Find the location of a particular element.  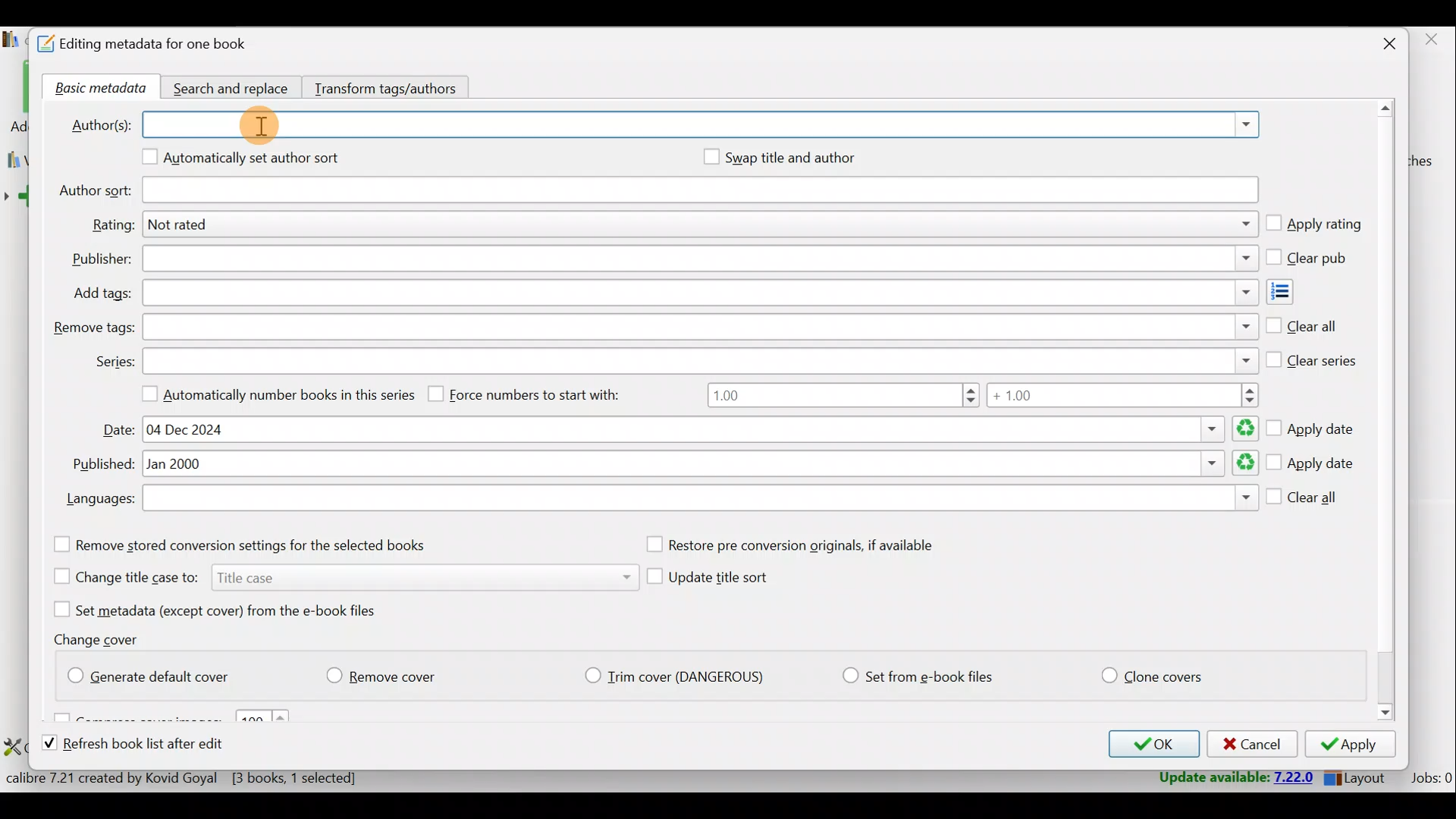

Transform tags/authors is located at coordinates (392, 86).